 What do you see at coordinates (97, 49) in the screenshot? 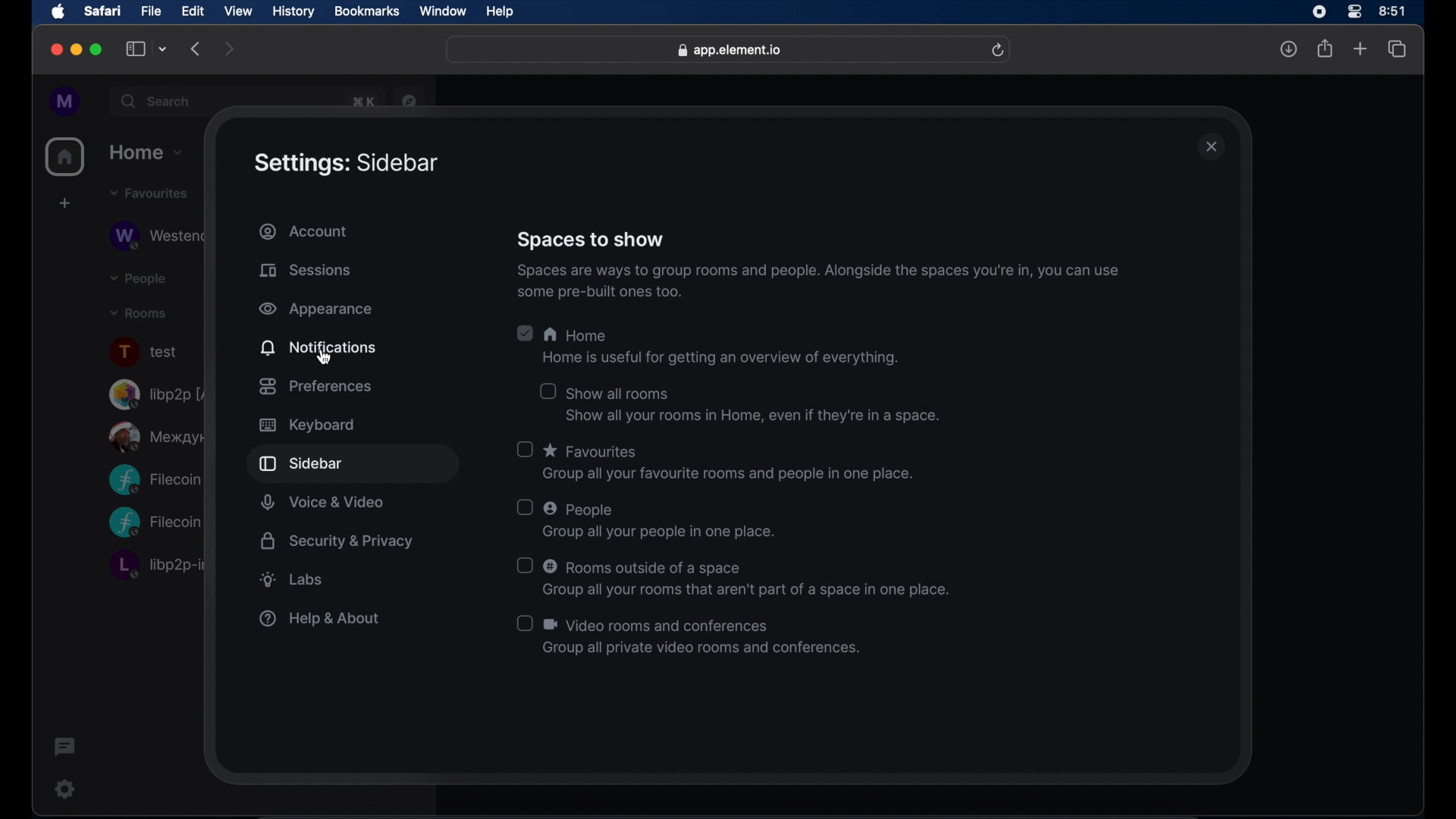
I see `maximize` at bounding box center [97, 49].